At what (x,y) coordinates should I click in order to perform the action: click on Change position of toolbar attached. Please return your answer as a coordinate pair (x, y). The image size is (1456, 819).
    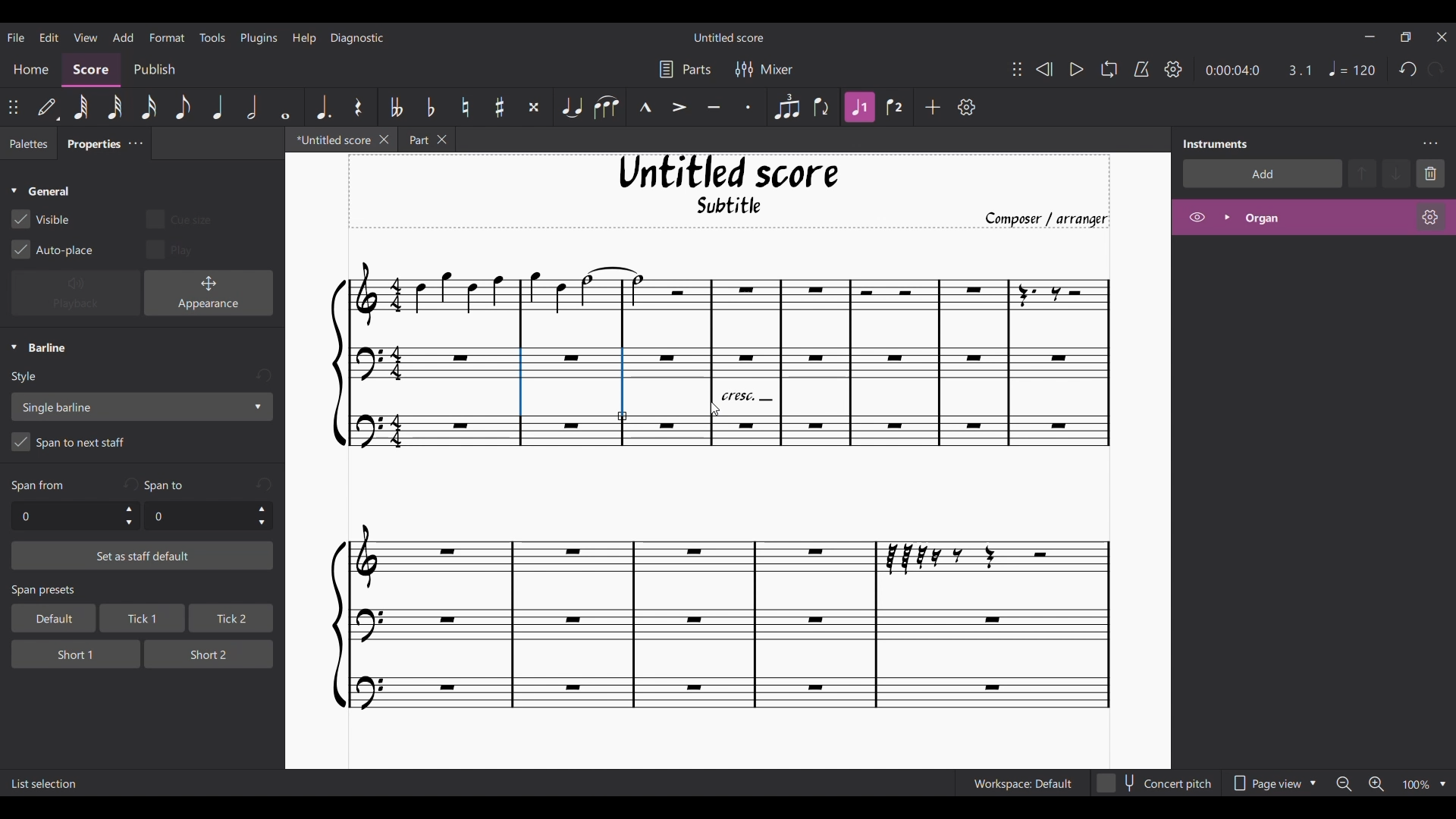
    Looking at the image, I should click on (1016, 69).